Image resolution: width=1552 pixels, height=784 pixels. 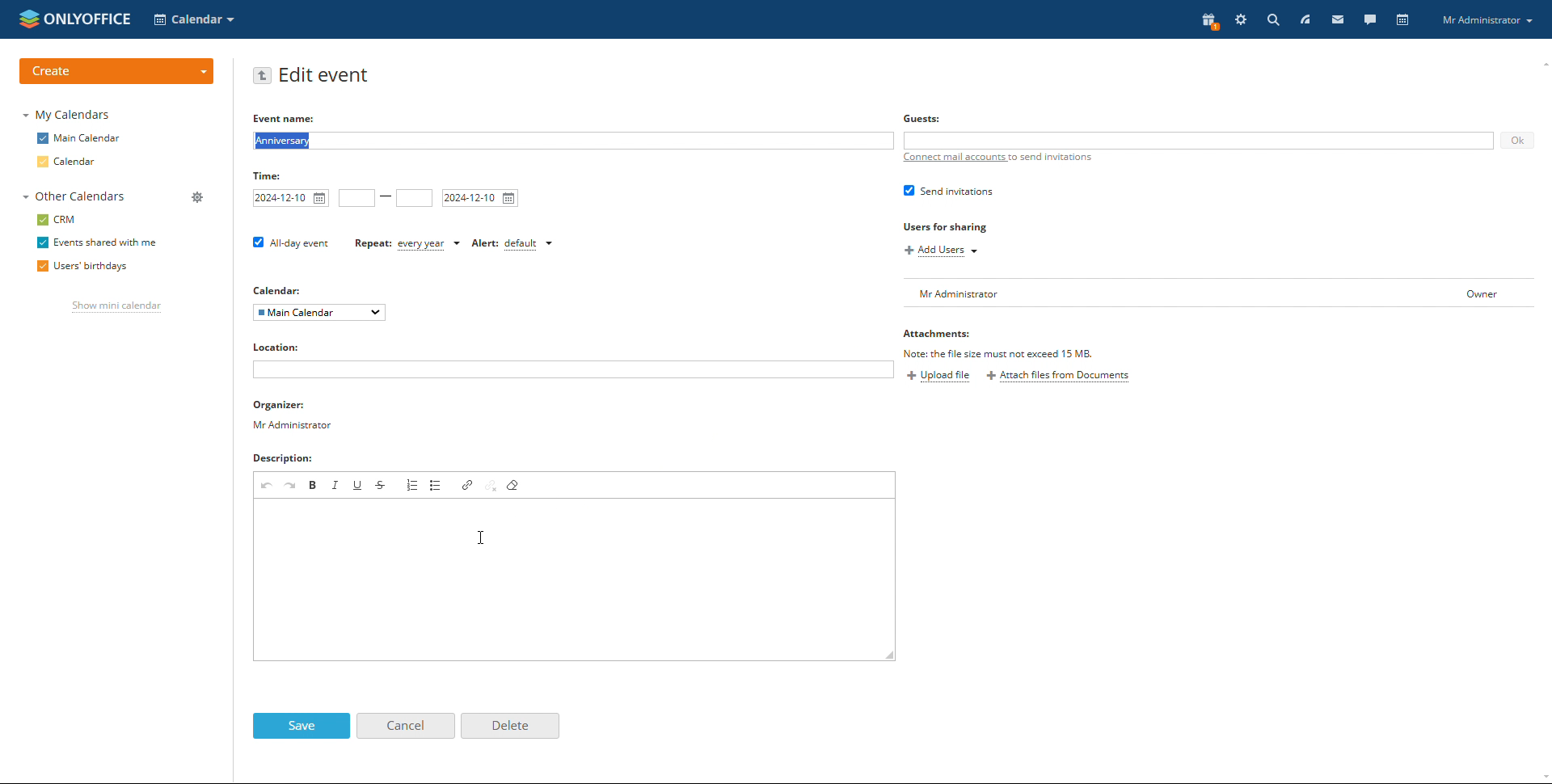 What do you see at coordinates (479, 198) in the screenshot?
I see `end date` at bounding box center [479, 198].